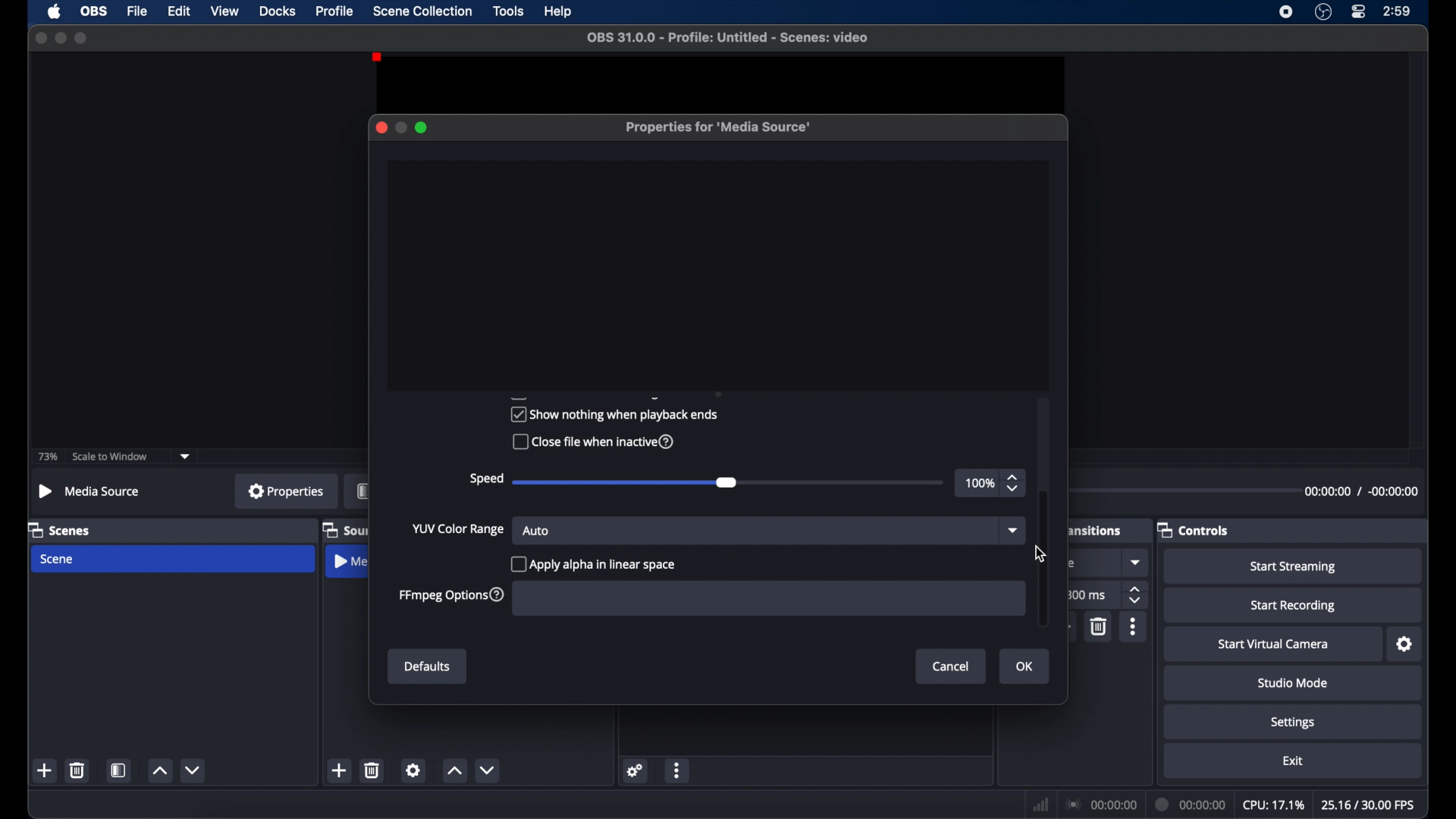 The width and height of the screenshot is (1456, 819). Describe the element at coordinates (458, 529) in the screenshot. I see `yup color range` at that location.